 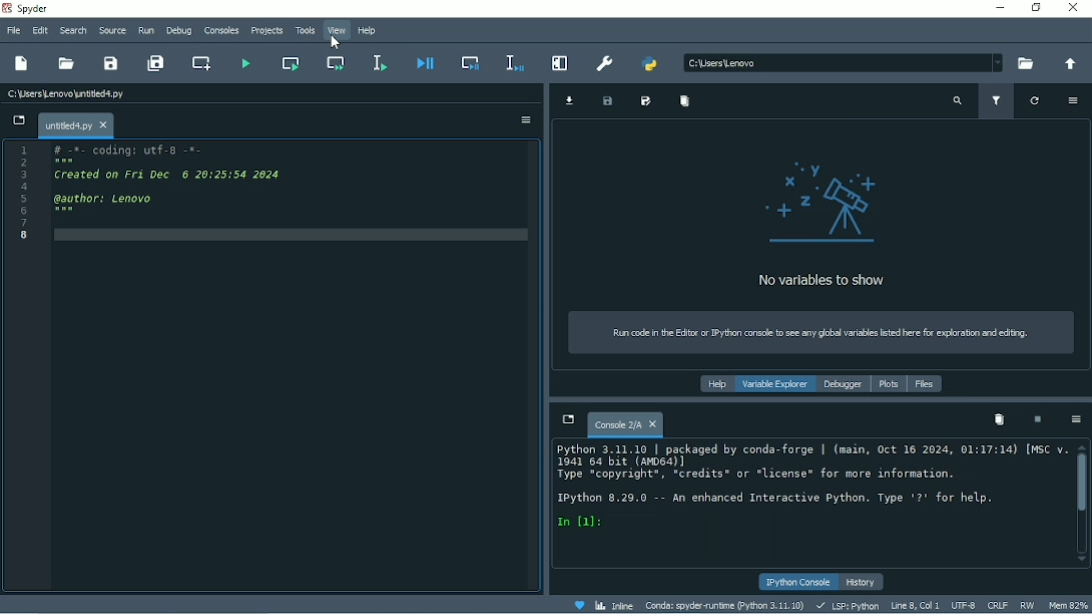 What do you see at coordinates (1038, 419) in the screenshot?
I see `Interrupt kernel` at bounding box center [1038, 419].